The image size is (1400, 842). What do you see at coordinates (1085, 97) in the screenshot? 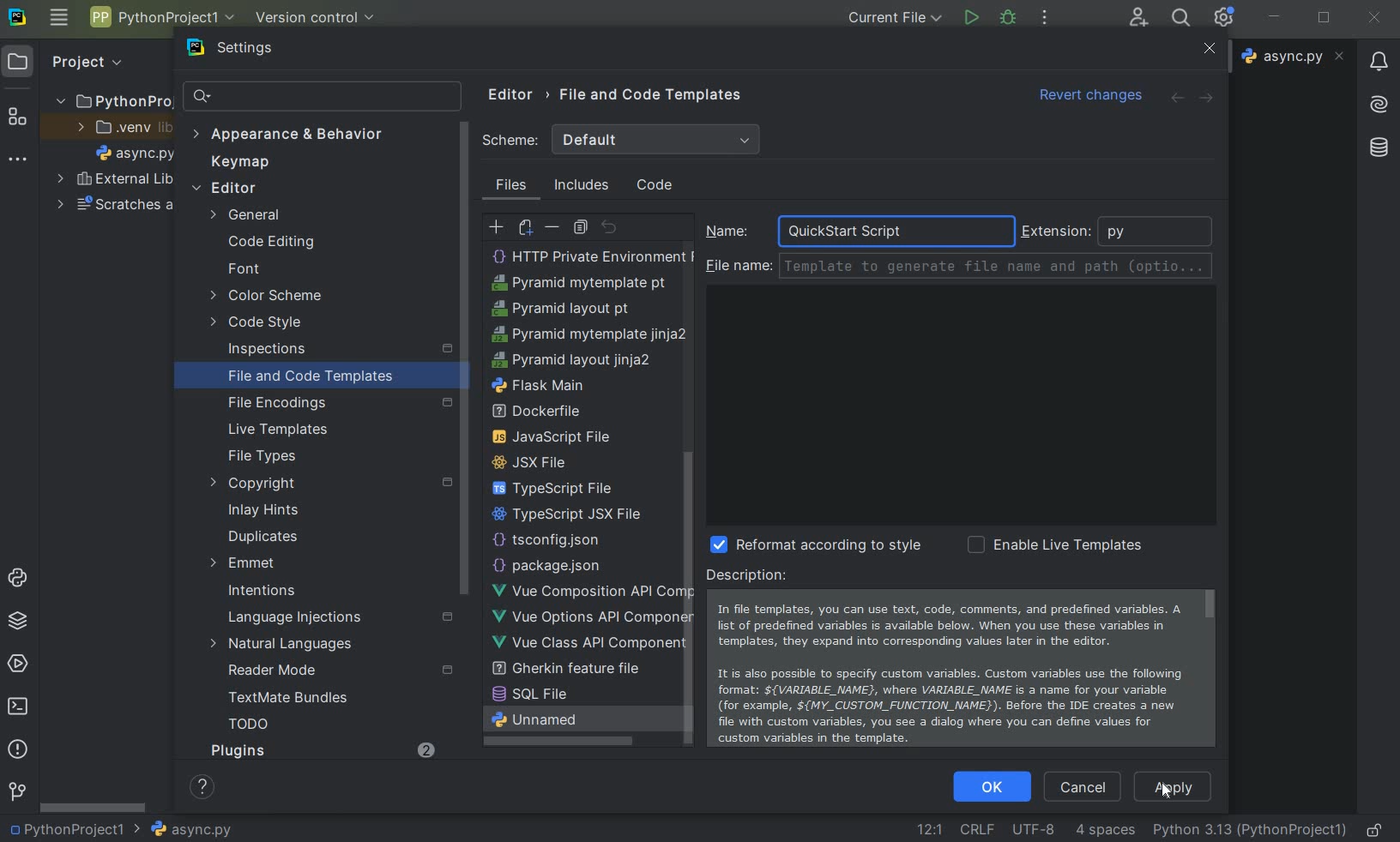
I see `revert changes` at bounding box center [1085, 97].